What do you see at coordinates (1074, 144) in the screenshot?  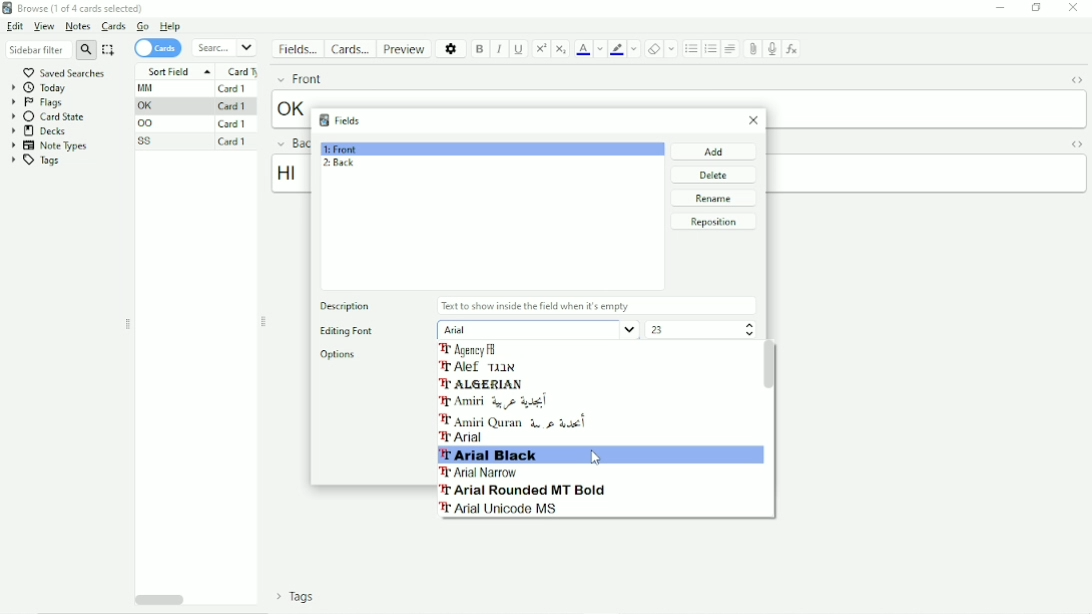 I see `Toggle HTML Editor` at bounding box center [1074, 144].